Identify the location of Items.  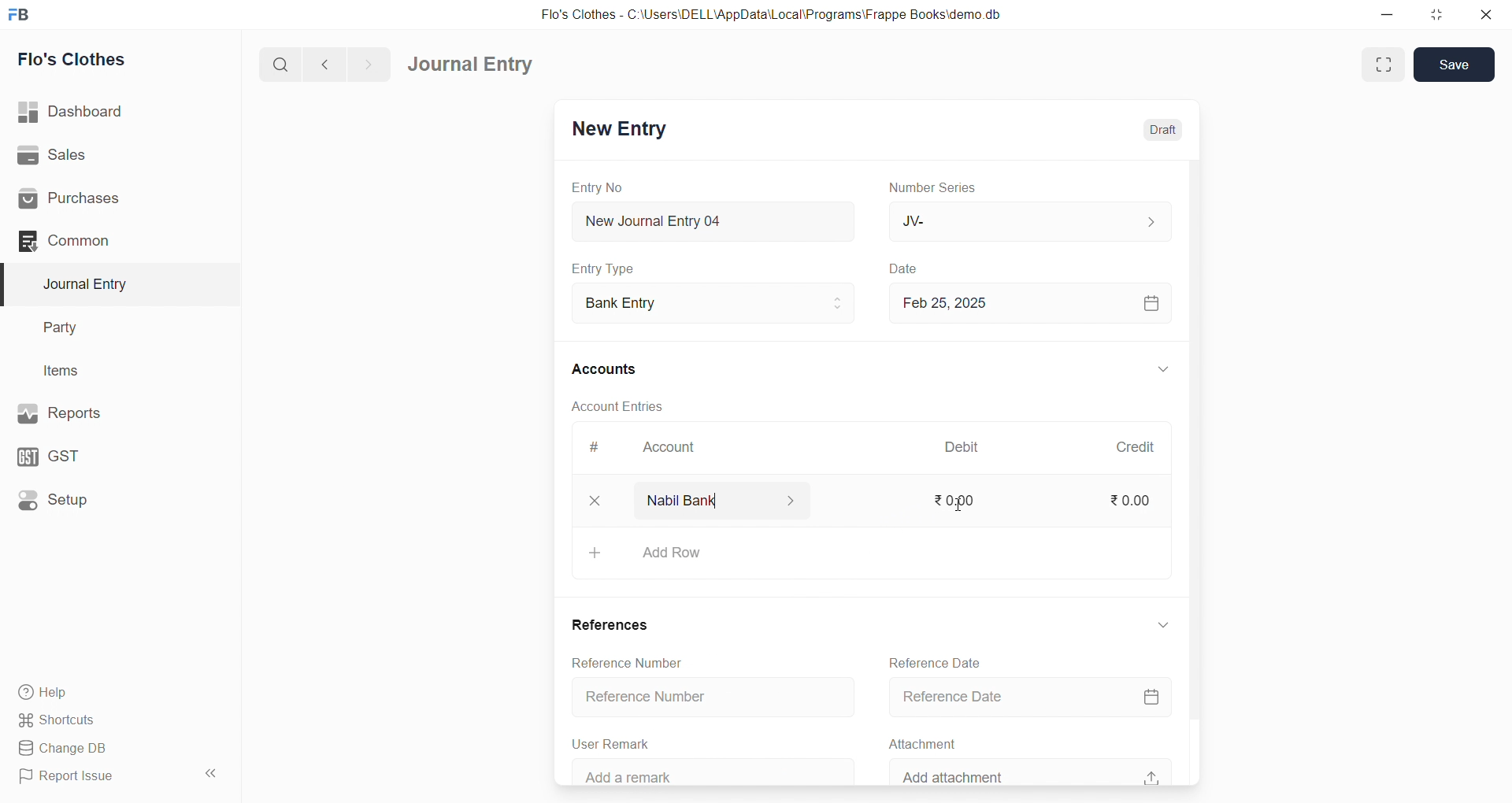
(109, 372).